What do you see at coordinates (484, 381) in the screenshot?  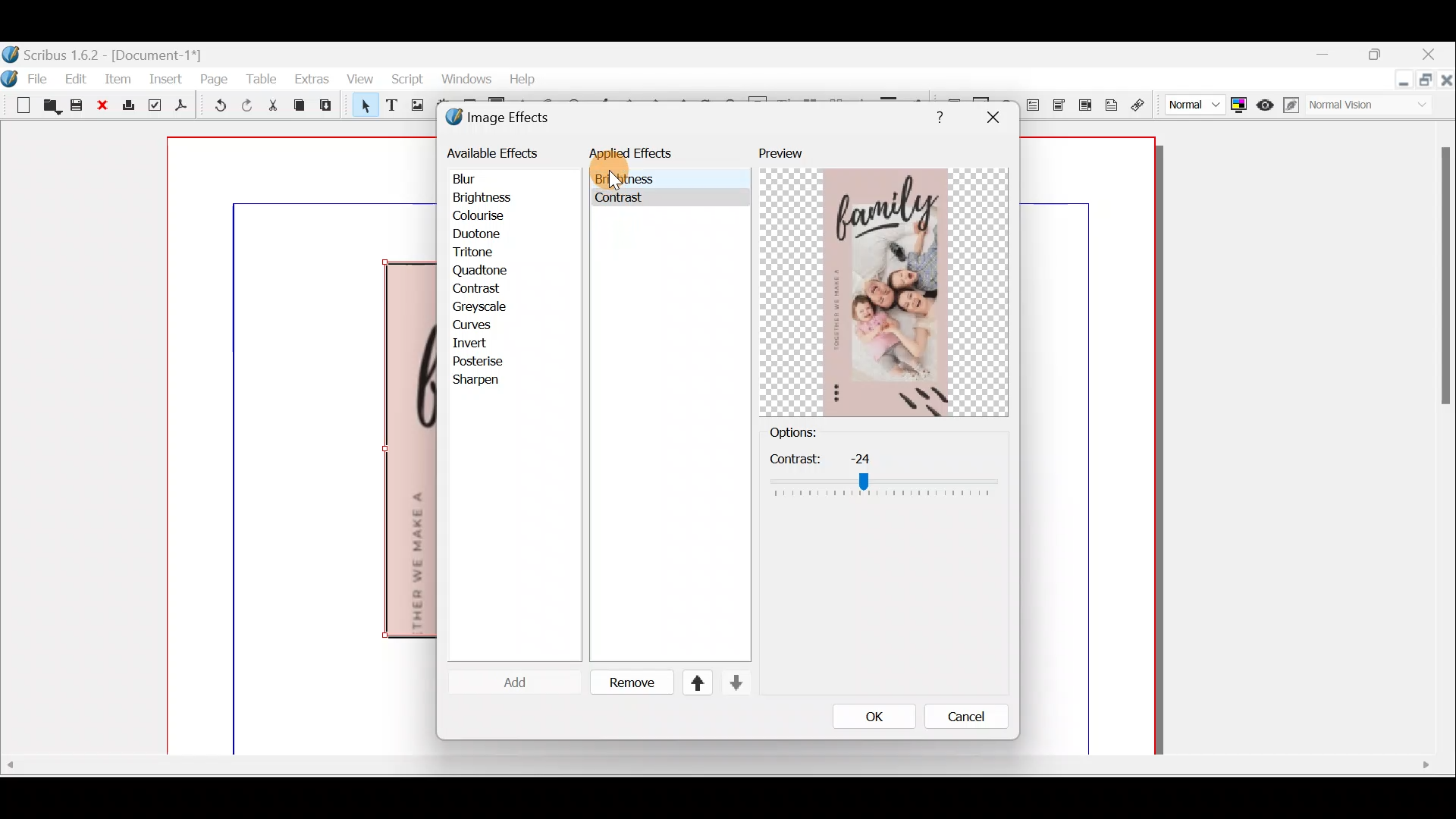 I see `Sharpen` at bounding box center [484, 381].